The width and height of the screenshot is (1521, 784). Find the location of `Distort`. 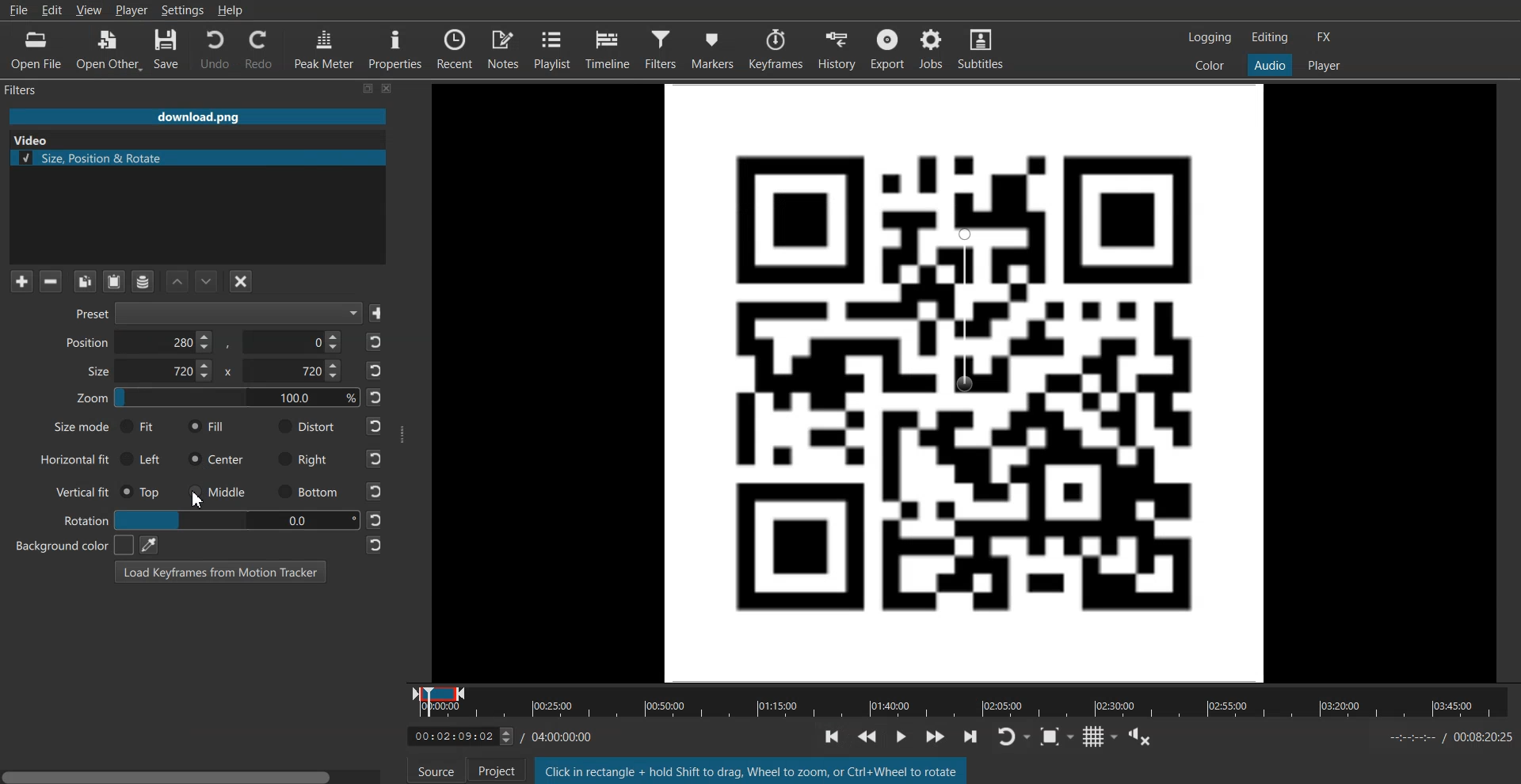

Distort is located at coordinates (305, 426).